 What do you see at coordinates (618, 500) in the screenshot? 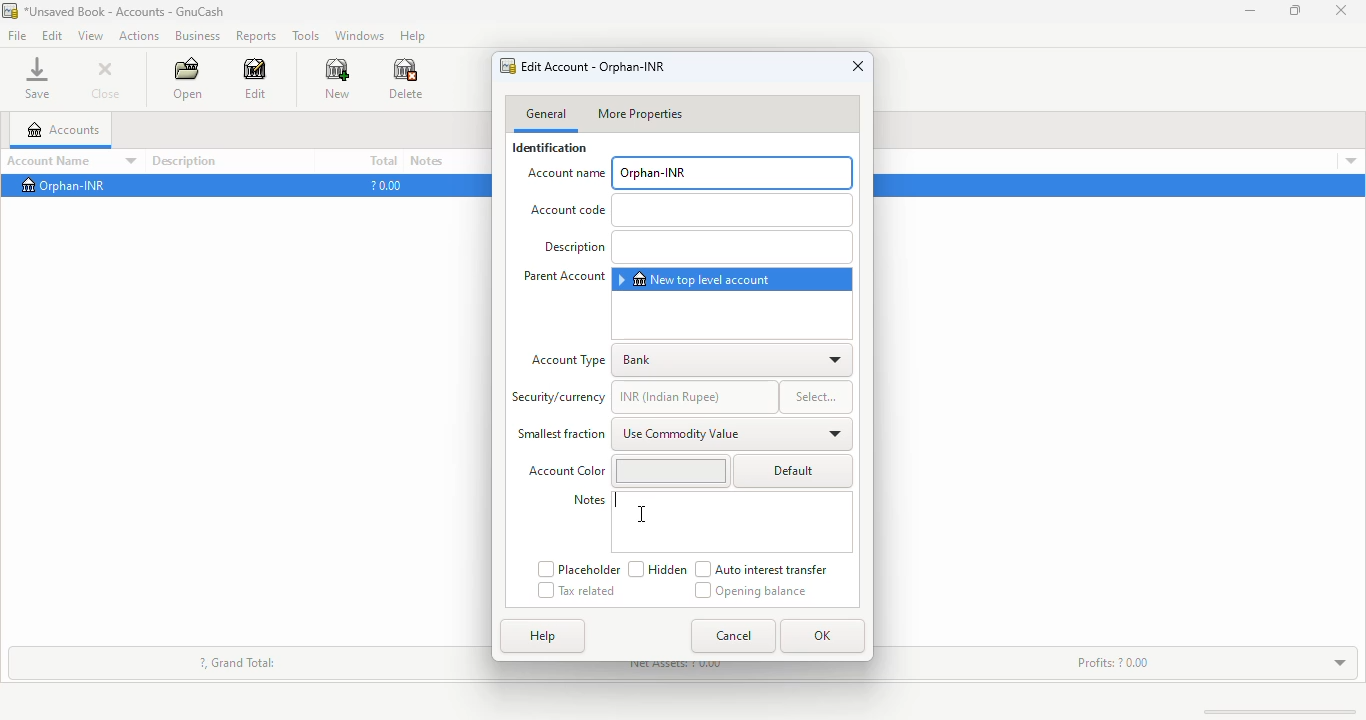
I see `typing` at bounding box center [618, 500].